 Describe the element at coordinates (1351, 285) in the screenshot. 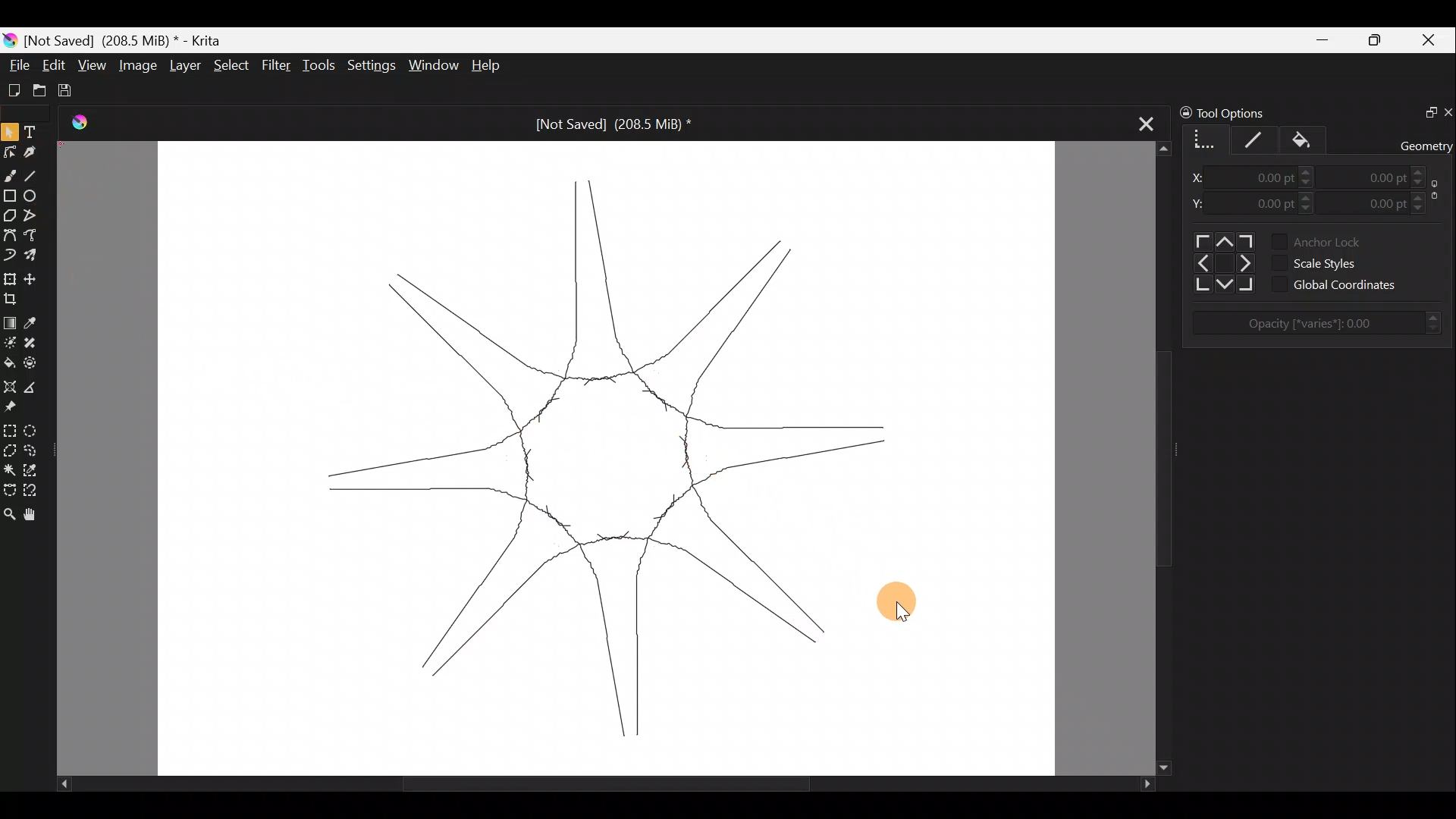

I see `Global coordinates` at that location.